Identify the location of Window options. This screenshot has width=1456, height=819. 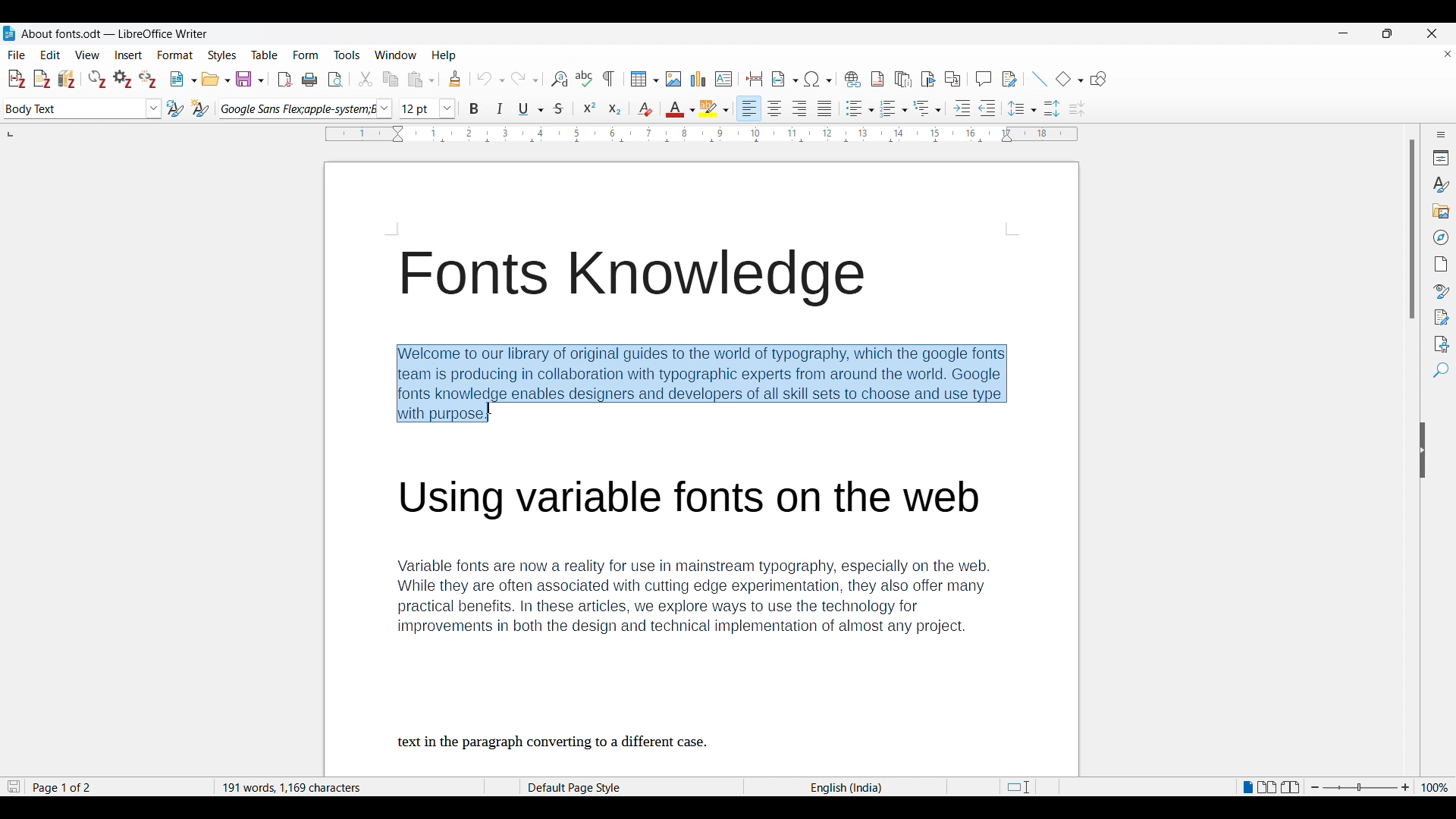
(396, 55).